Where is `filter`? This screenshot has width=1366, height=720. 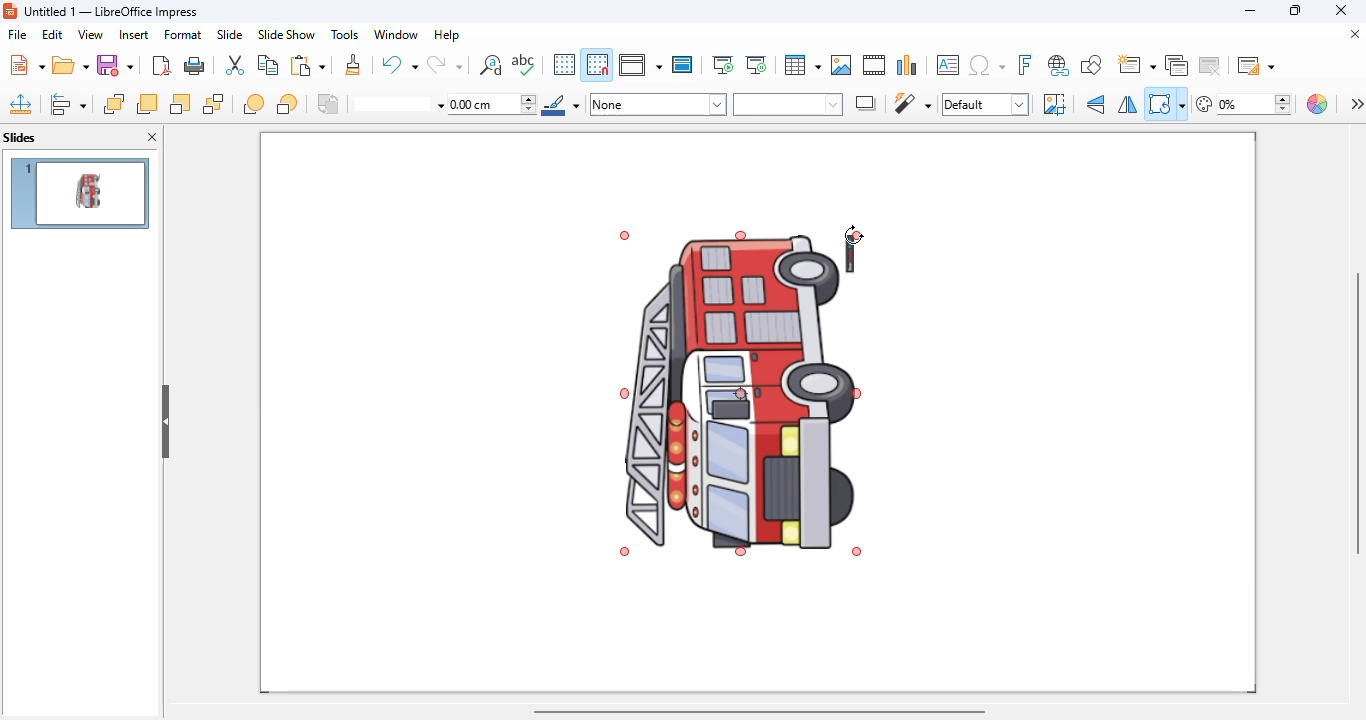
filter is located at coordinates (912, 103).